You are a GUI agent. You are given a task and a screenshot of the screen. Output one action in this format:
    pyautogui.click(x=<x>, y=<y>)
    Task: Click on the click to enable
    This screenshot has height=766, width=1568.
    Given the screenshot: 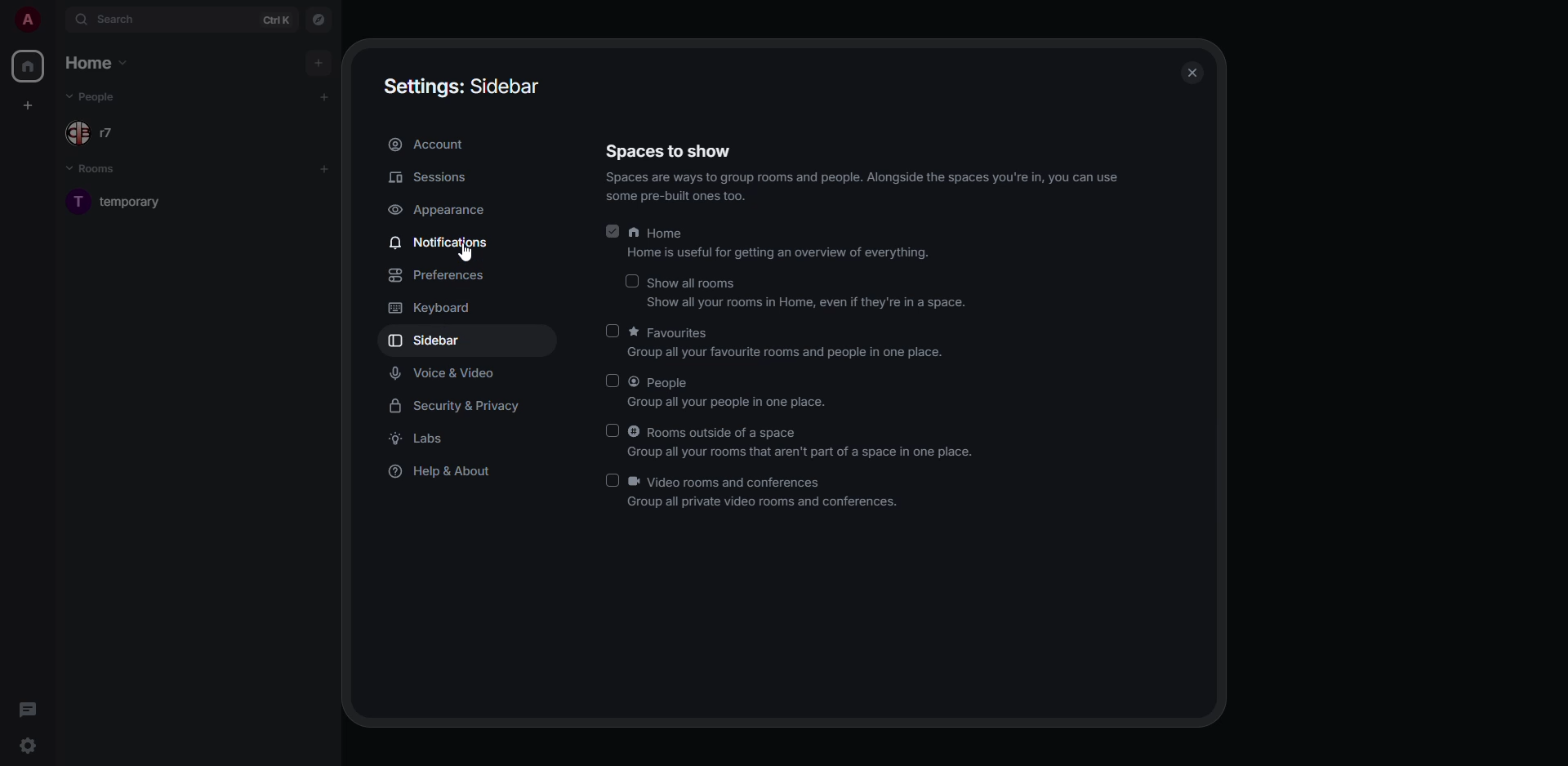 What is the action you would take?
    pyautogui.click(x=630, y=281)
    